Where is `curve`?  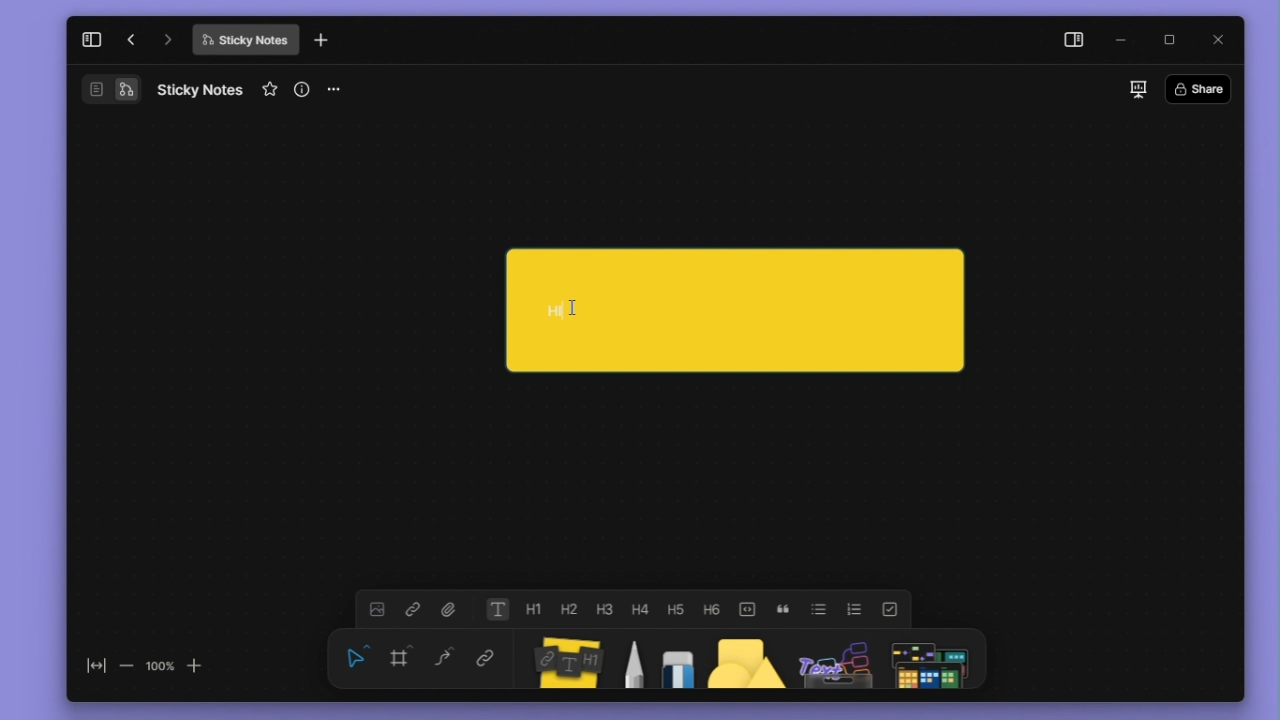
curve is located at coordinates (446, 660).